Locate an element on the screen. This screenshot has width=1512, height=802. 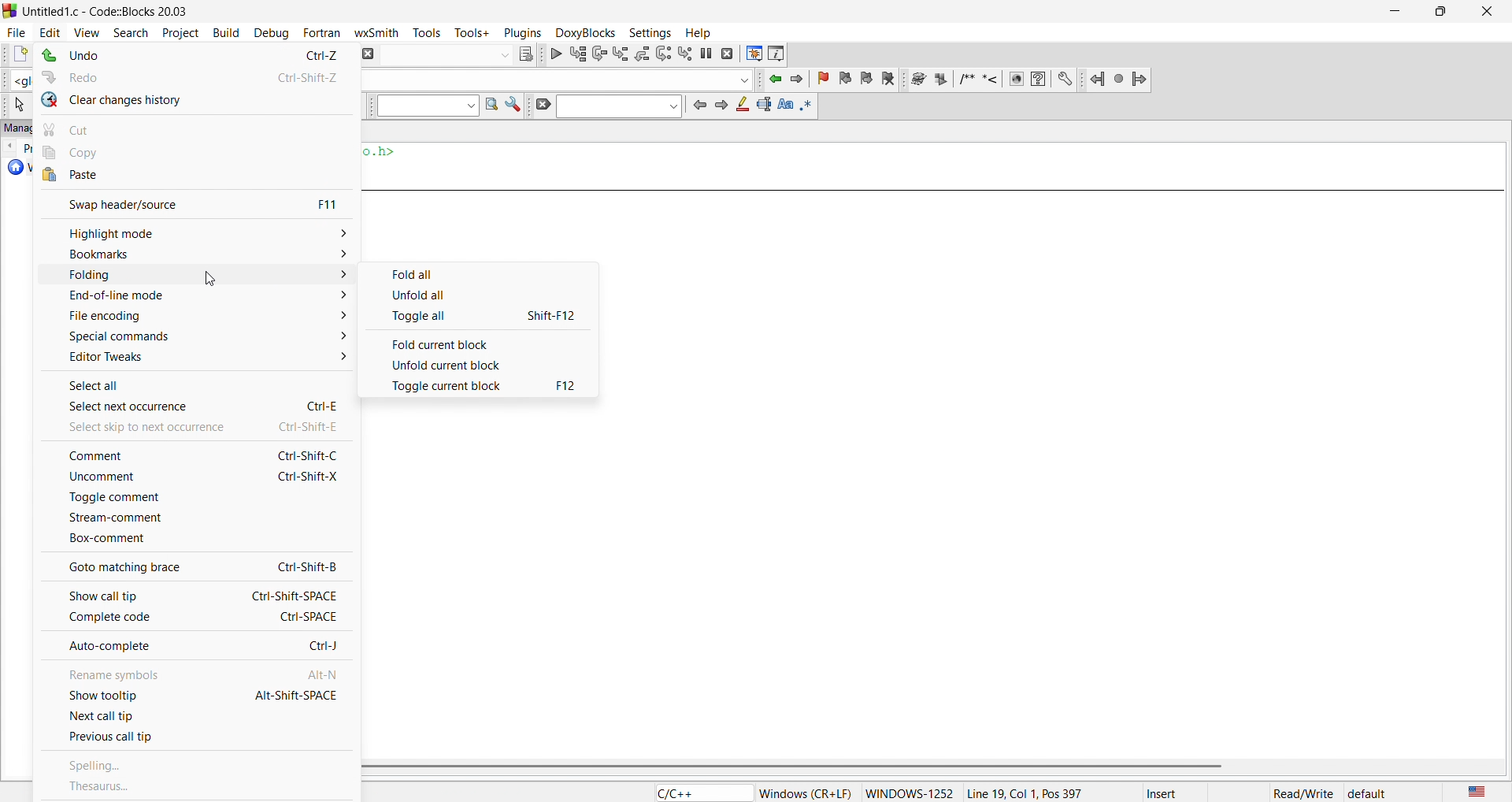
paste is located at coordinates (196, 176).